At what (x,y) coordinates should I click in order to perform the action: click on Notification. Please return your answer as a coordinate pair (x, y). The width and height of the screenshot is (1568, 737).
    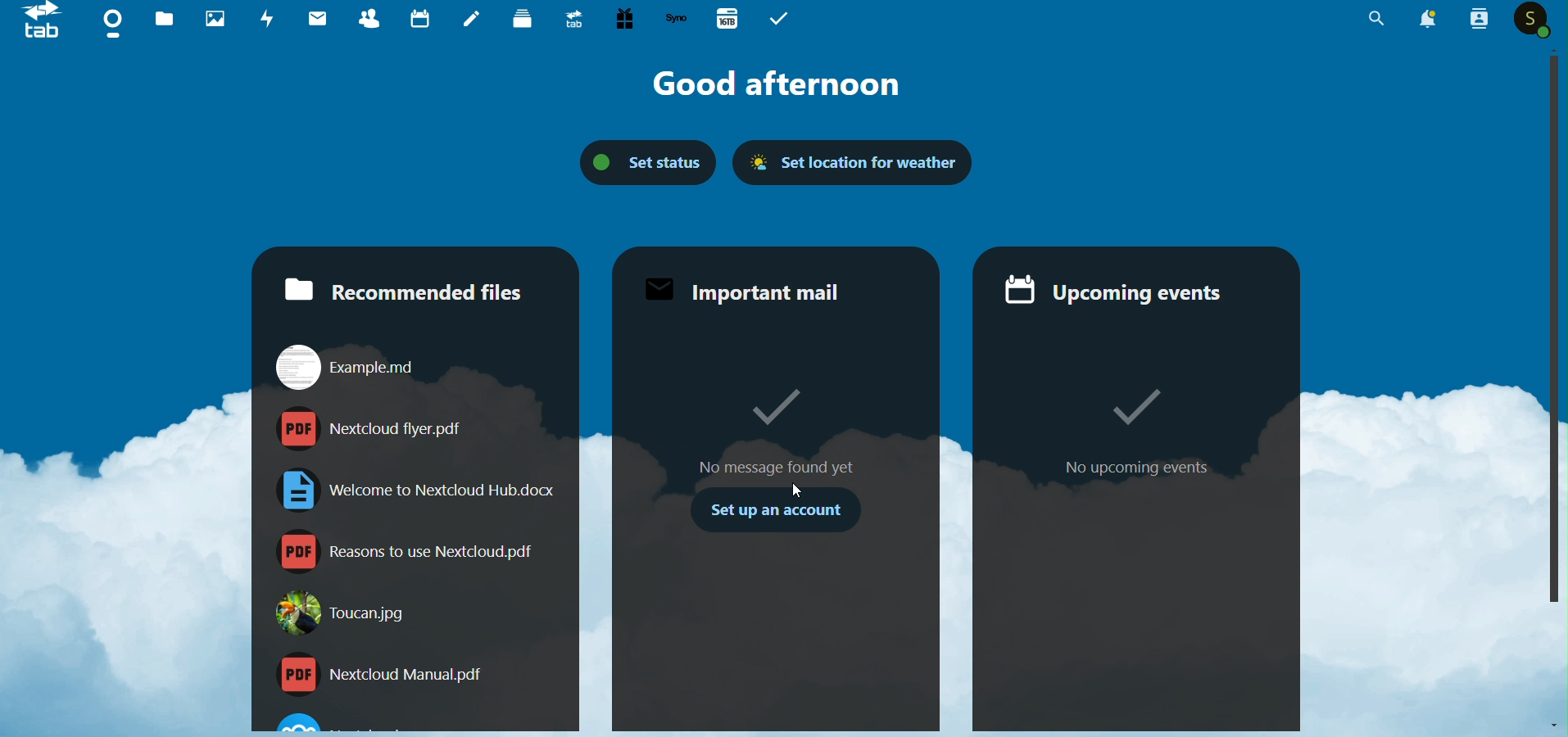
    Looking at the image, I should click on (1430, 19).